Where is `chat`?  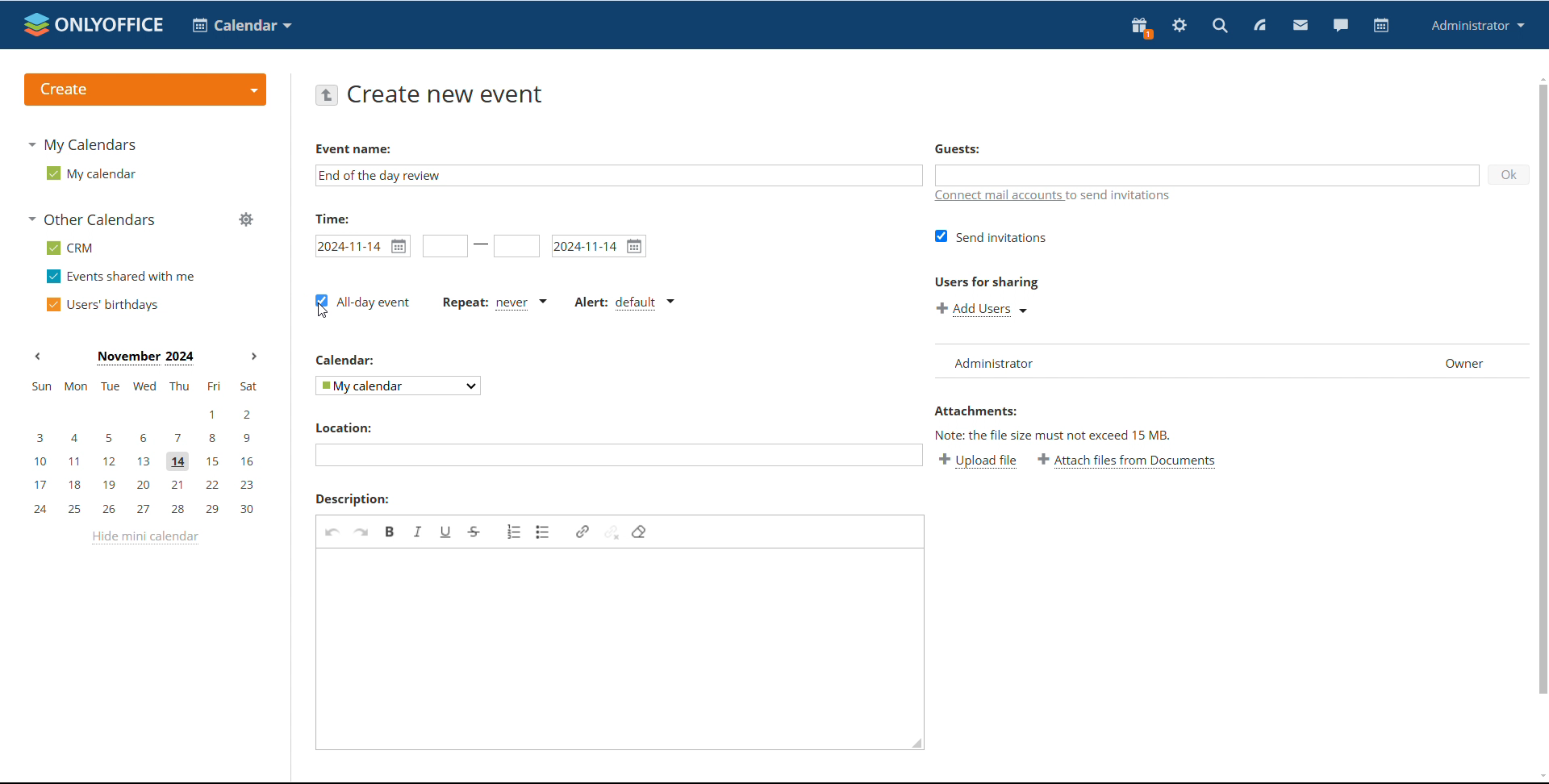
chat is located at coordinates (1341, 26).